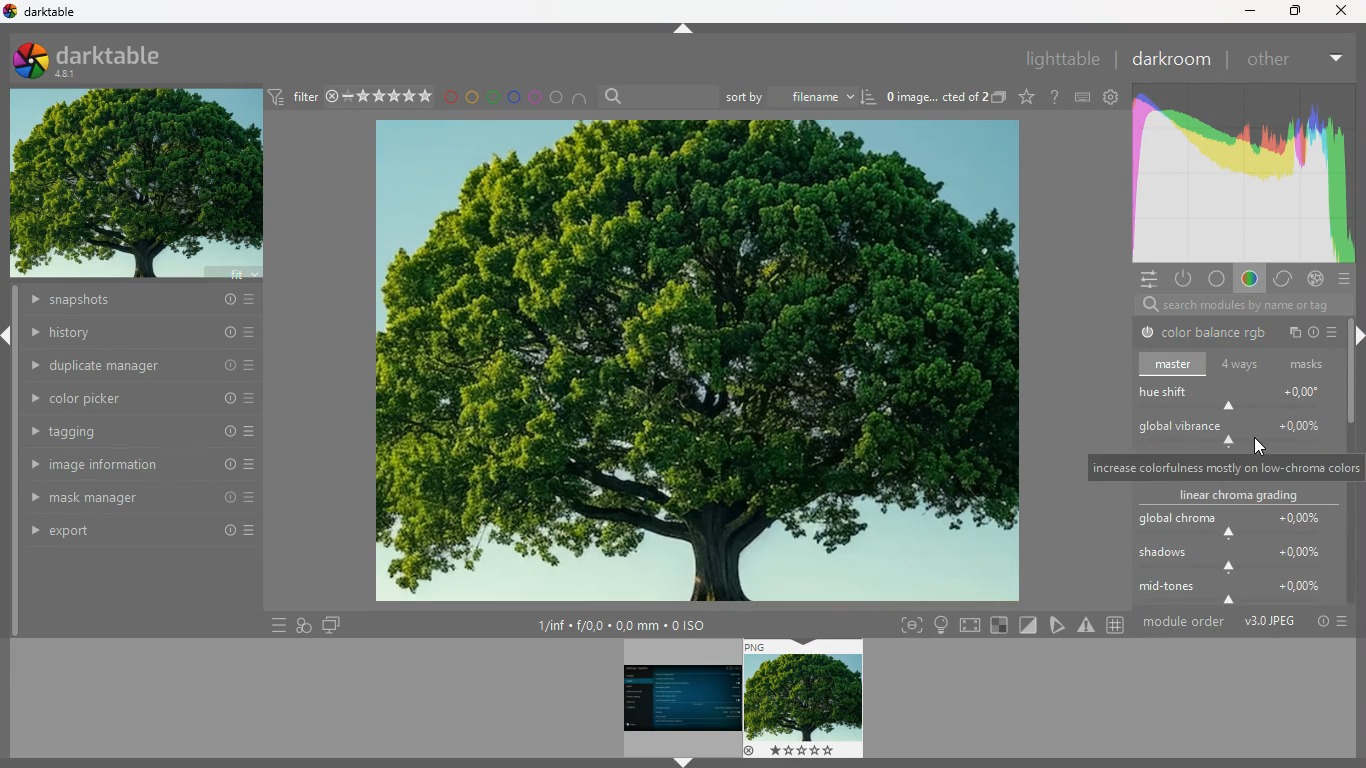 This screenshot has width=1366, height=768. I want to click on copy, so click(1295, 333).